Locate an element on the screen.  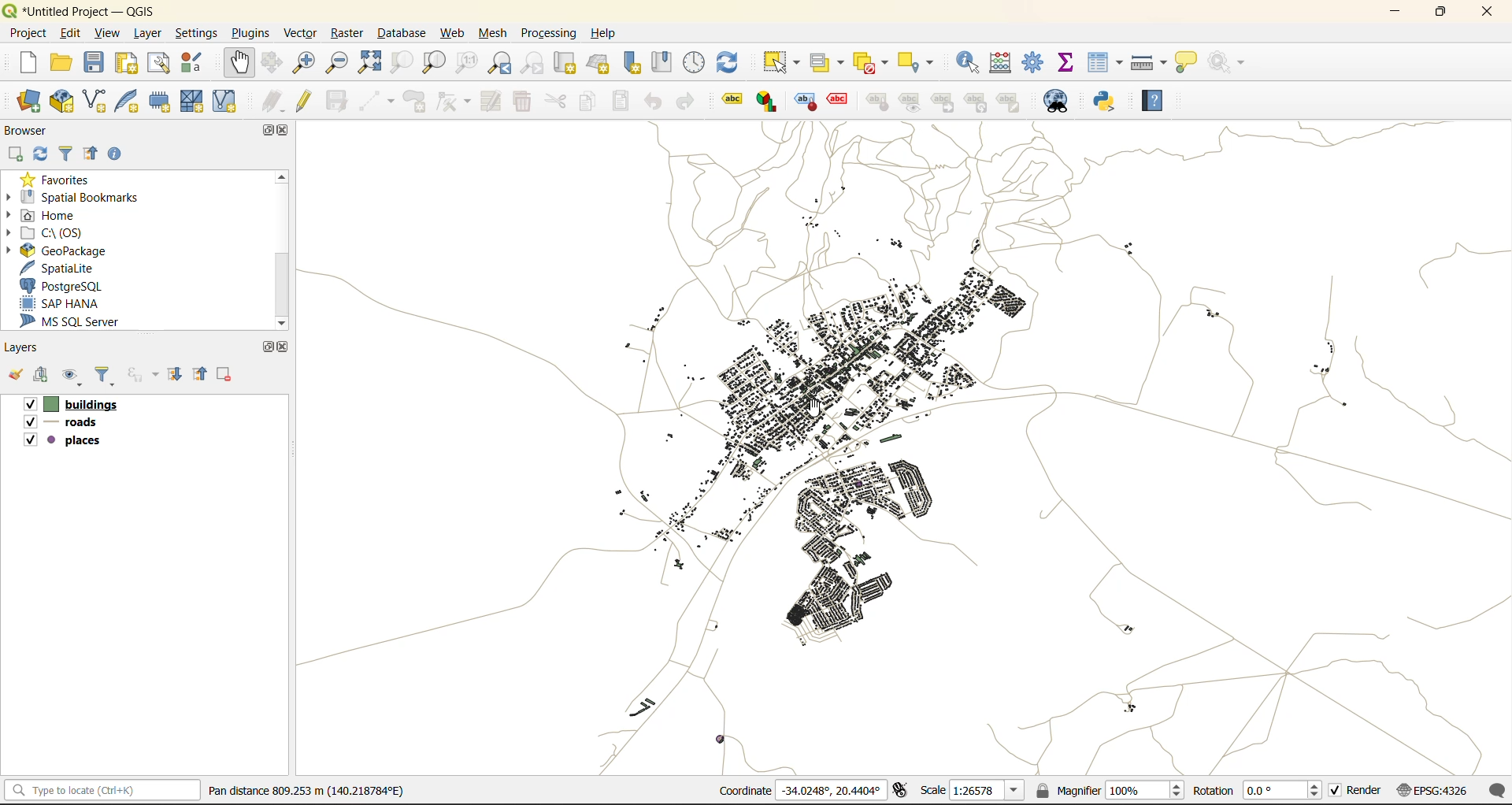
linked label is located at coordinates (947, 103).